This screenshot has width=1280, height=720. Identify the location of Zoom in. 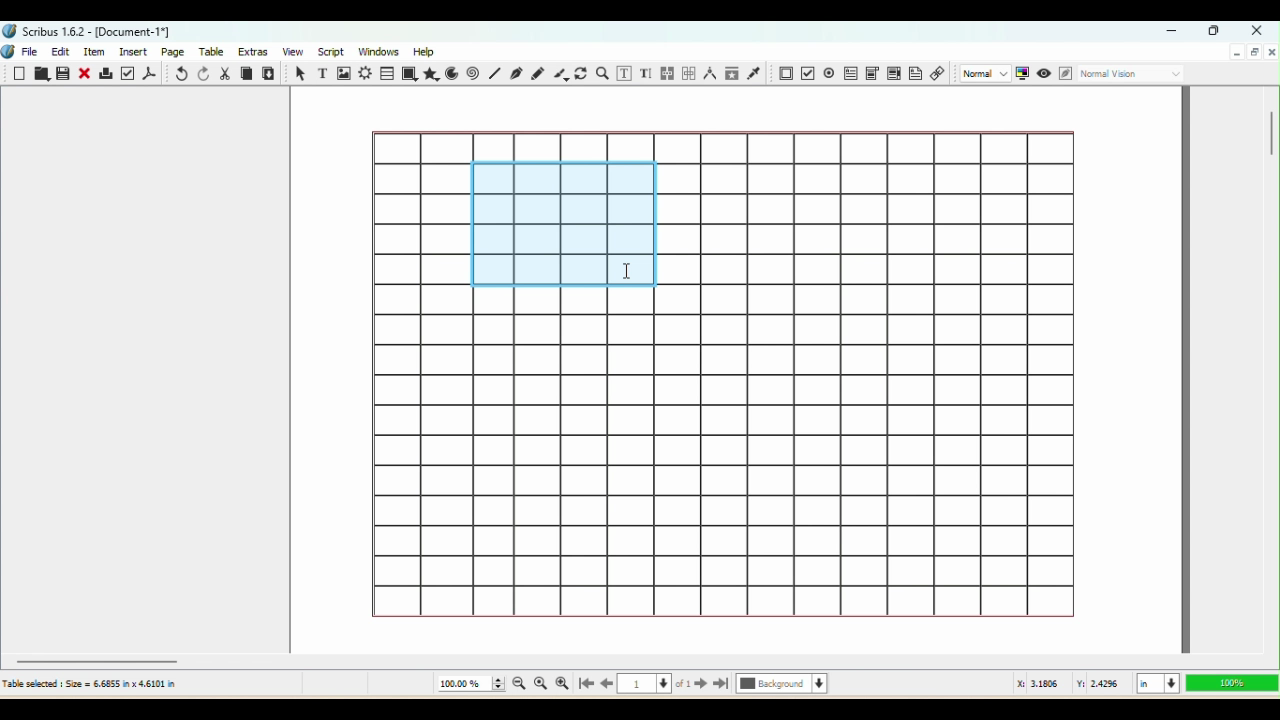
(562, 684).